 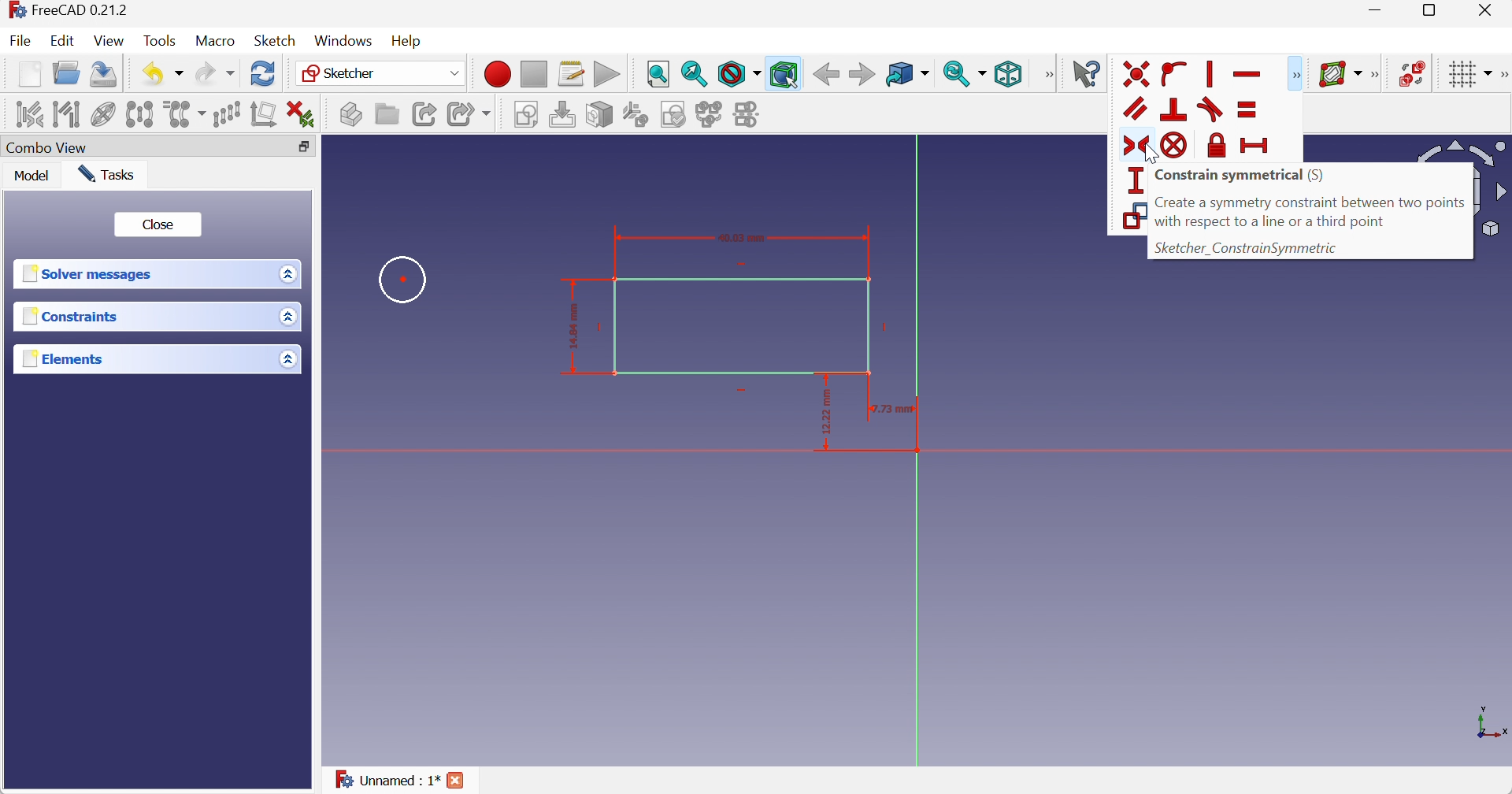 What do you see at coordinates (291, 273) in the screenshot?
I see `Drop down` at bounding box center [291, 273].